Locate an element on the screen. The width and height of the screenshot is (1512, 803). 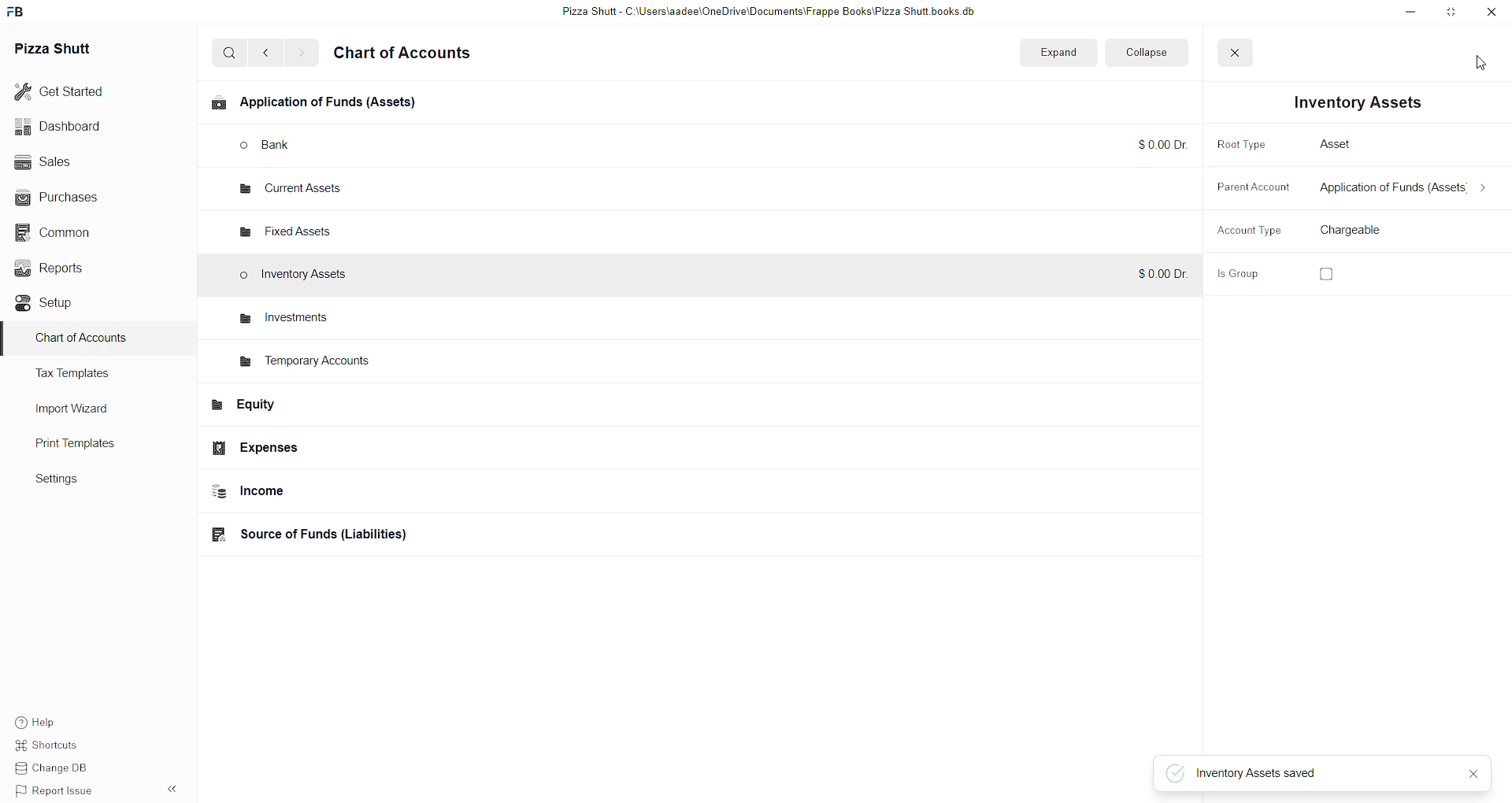
help is located at coordinates (51, 722).